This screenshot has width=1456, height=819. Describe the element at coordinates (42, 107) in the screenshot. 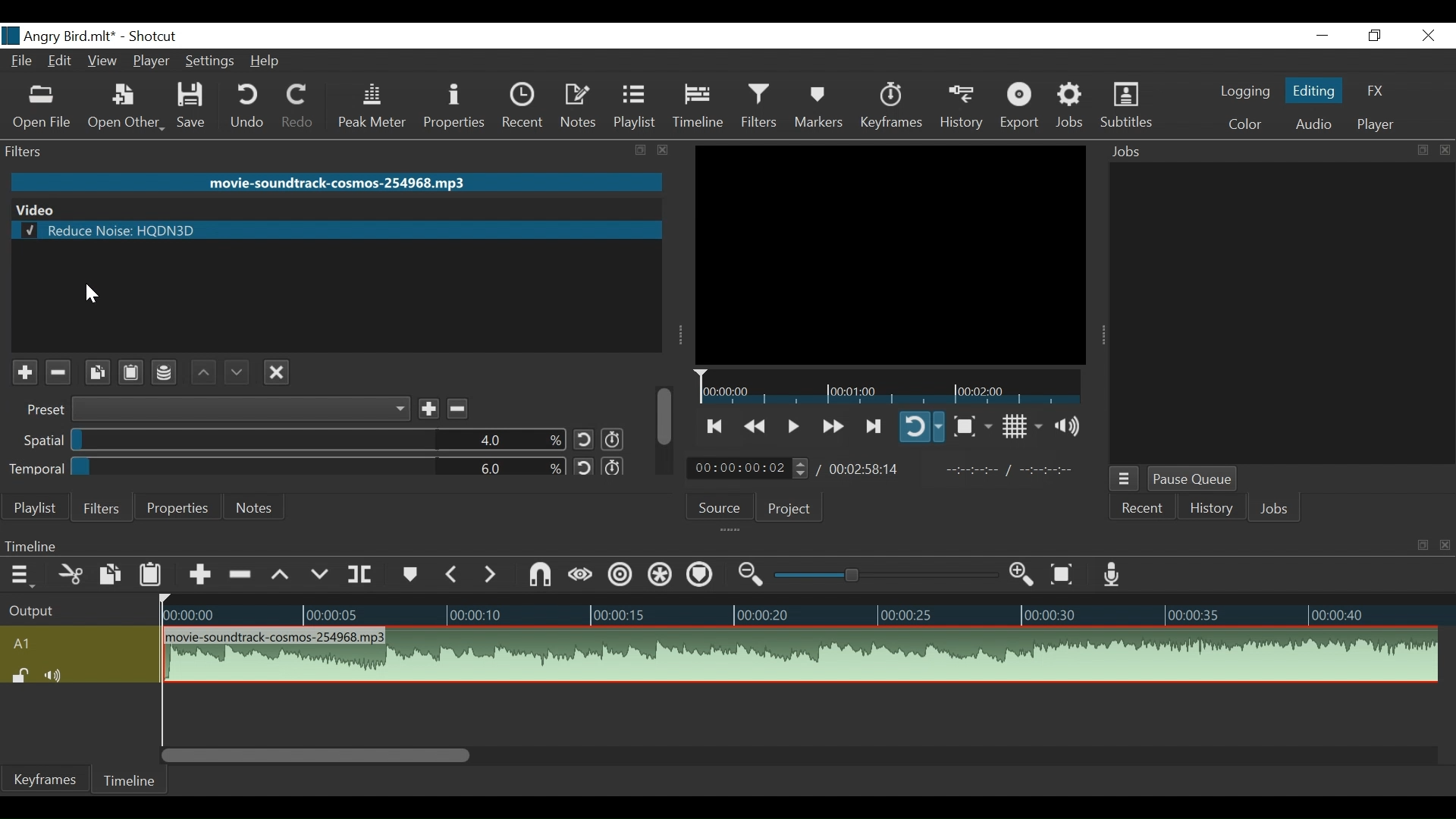

I see `Open File` at that location.